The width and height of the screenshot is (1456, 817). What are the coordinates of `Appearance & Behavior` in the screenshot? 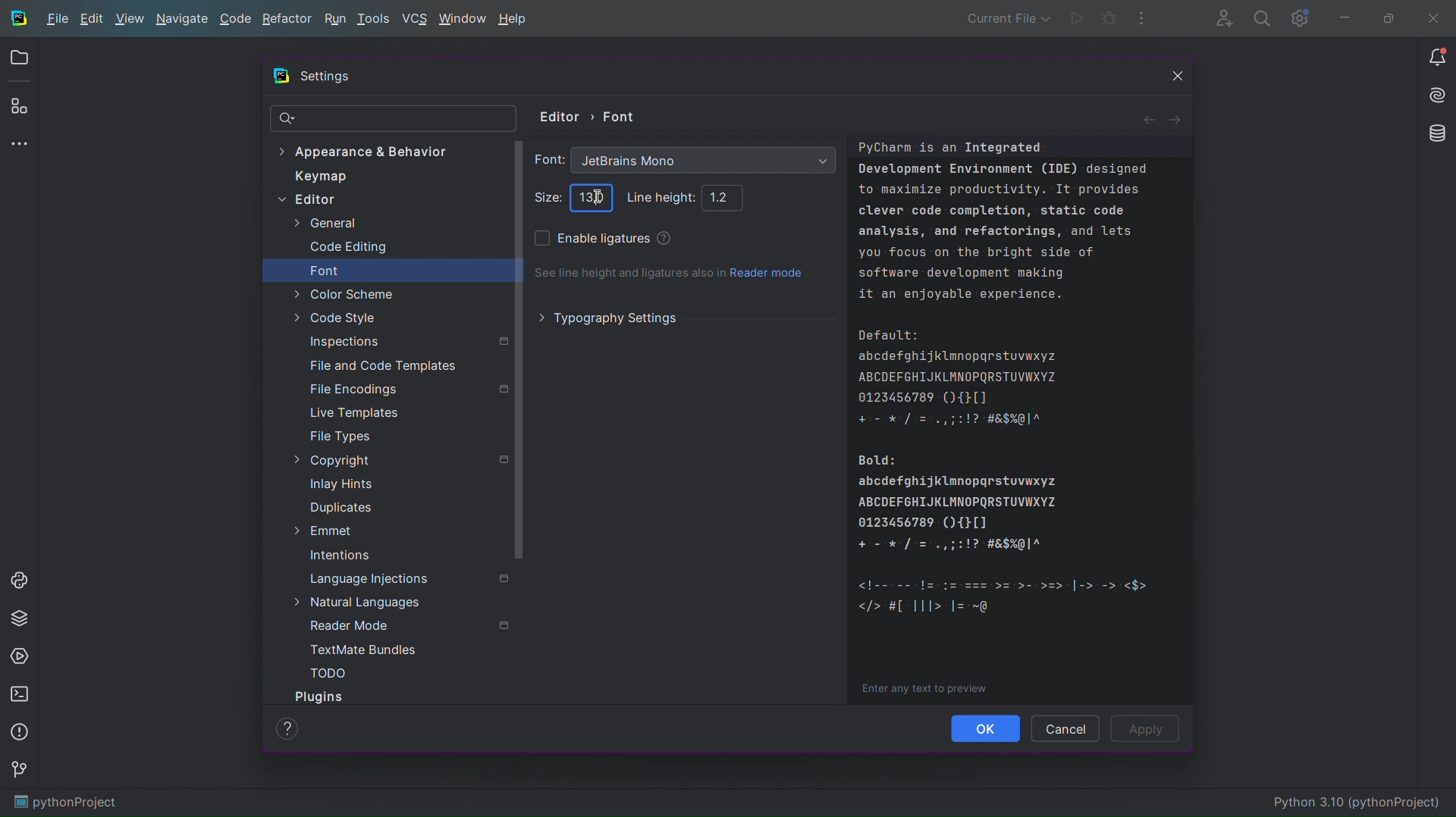 It's located at (371, 151).